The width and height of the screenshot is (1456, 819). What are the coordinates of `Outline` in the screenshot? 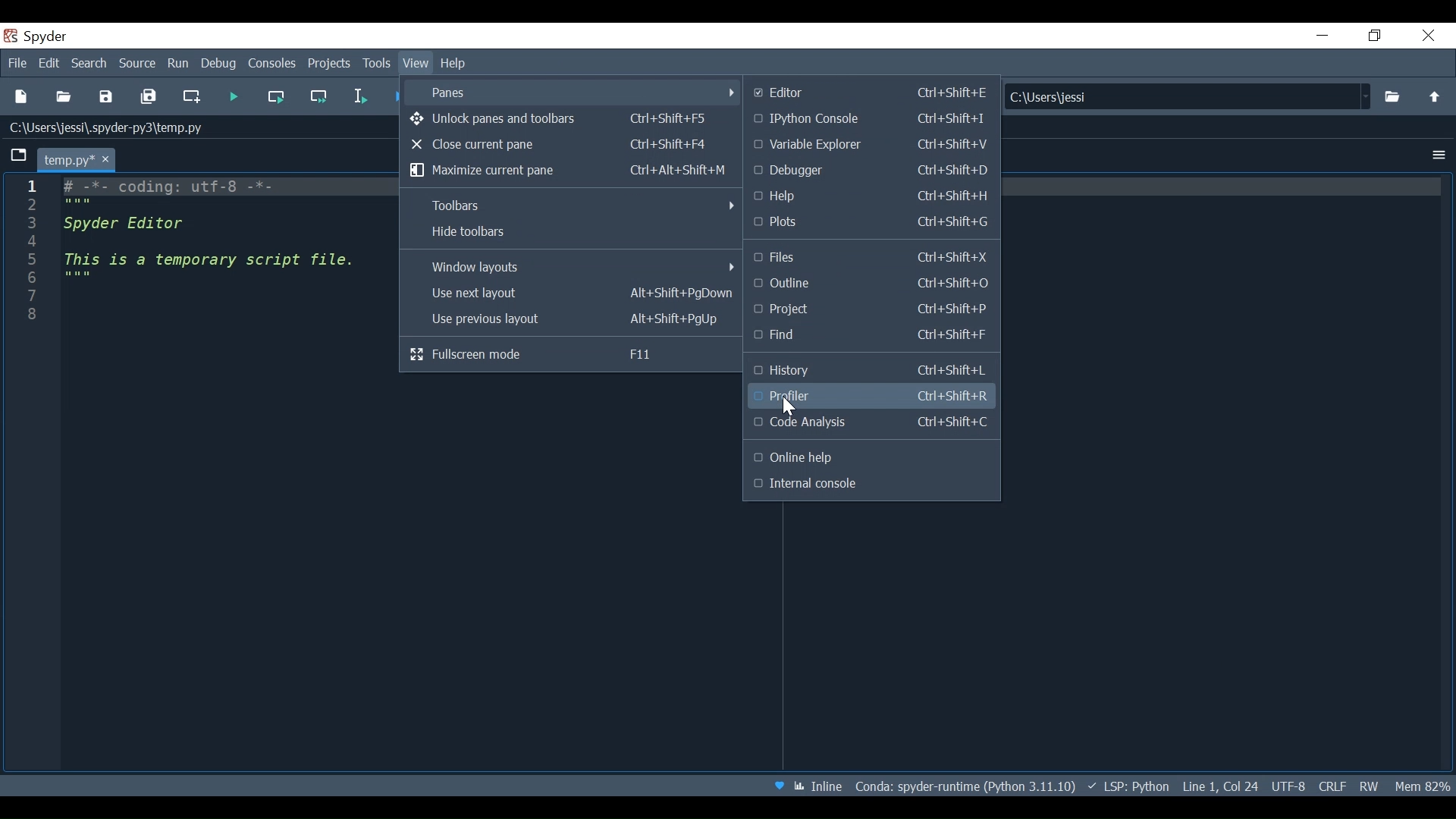 It's located at (872, 283).